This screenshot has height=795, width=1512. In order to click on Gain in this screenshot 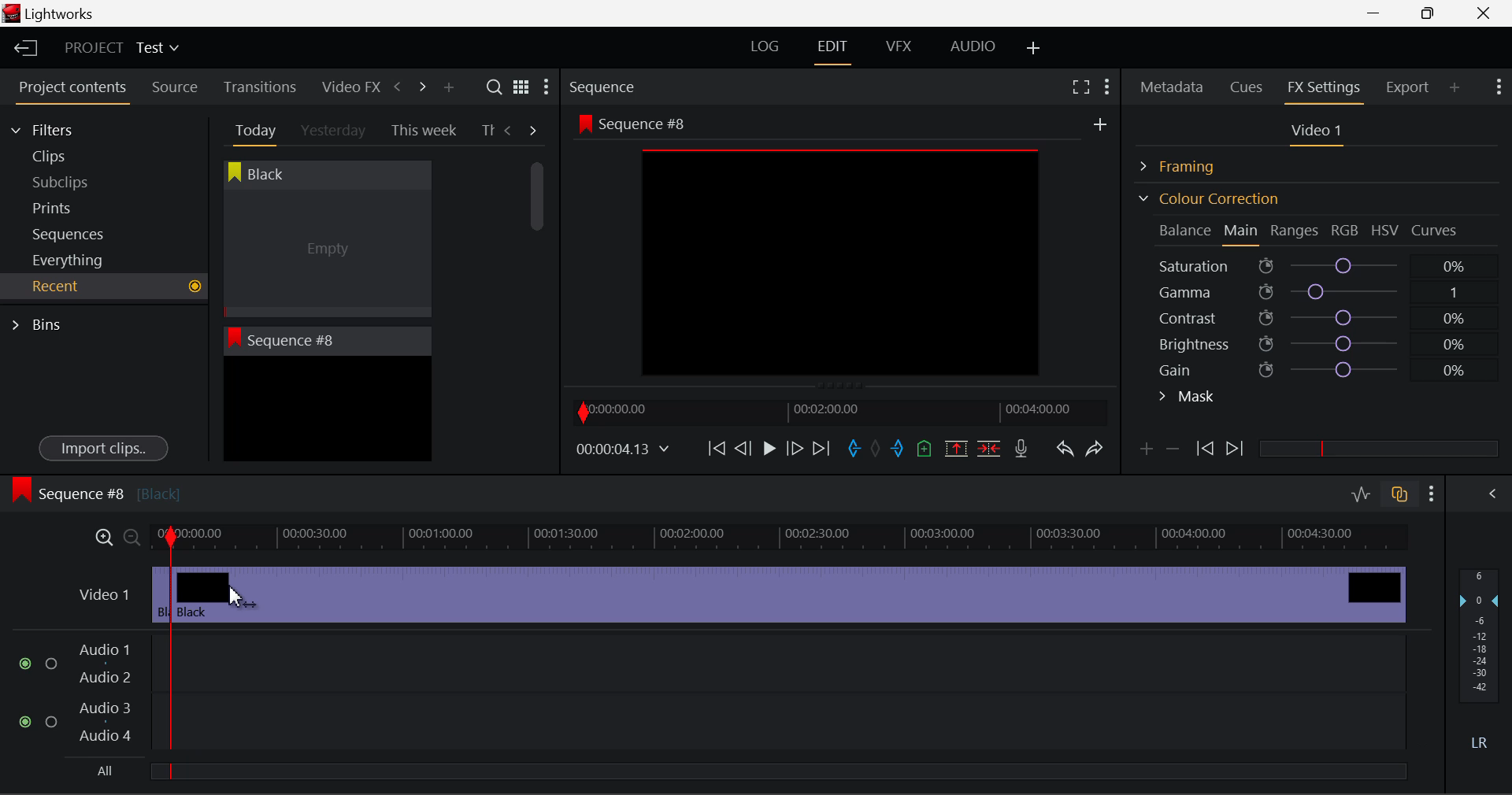, I will do `click(1332, 367)`.